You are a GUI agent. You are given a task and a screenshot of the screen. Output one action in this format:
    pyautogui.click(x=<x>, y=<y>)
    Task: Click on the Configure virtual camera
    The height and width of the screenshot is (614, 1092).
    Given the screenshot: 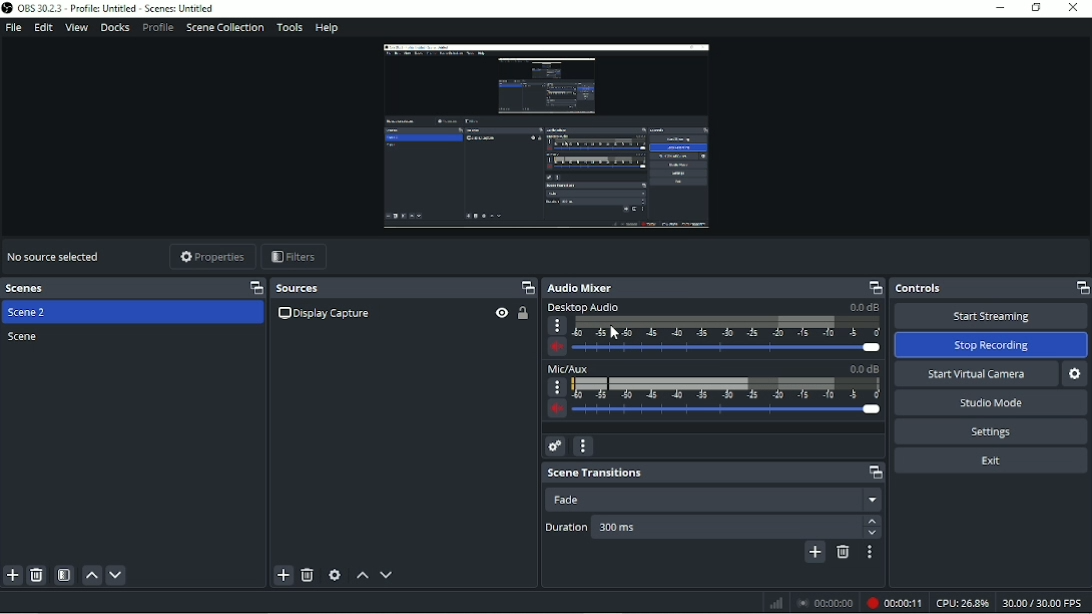 What is the action you would take?
    pyautogui.click(x=1075, y=374)
    